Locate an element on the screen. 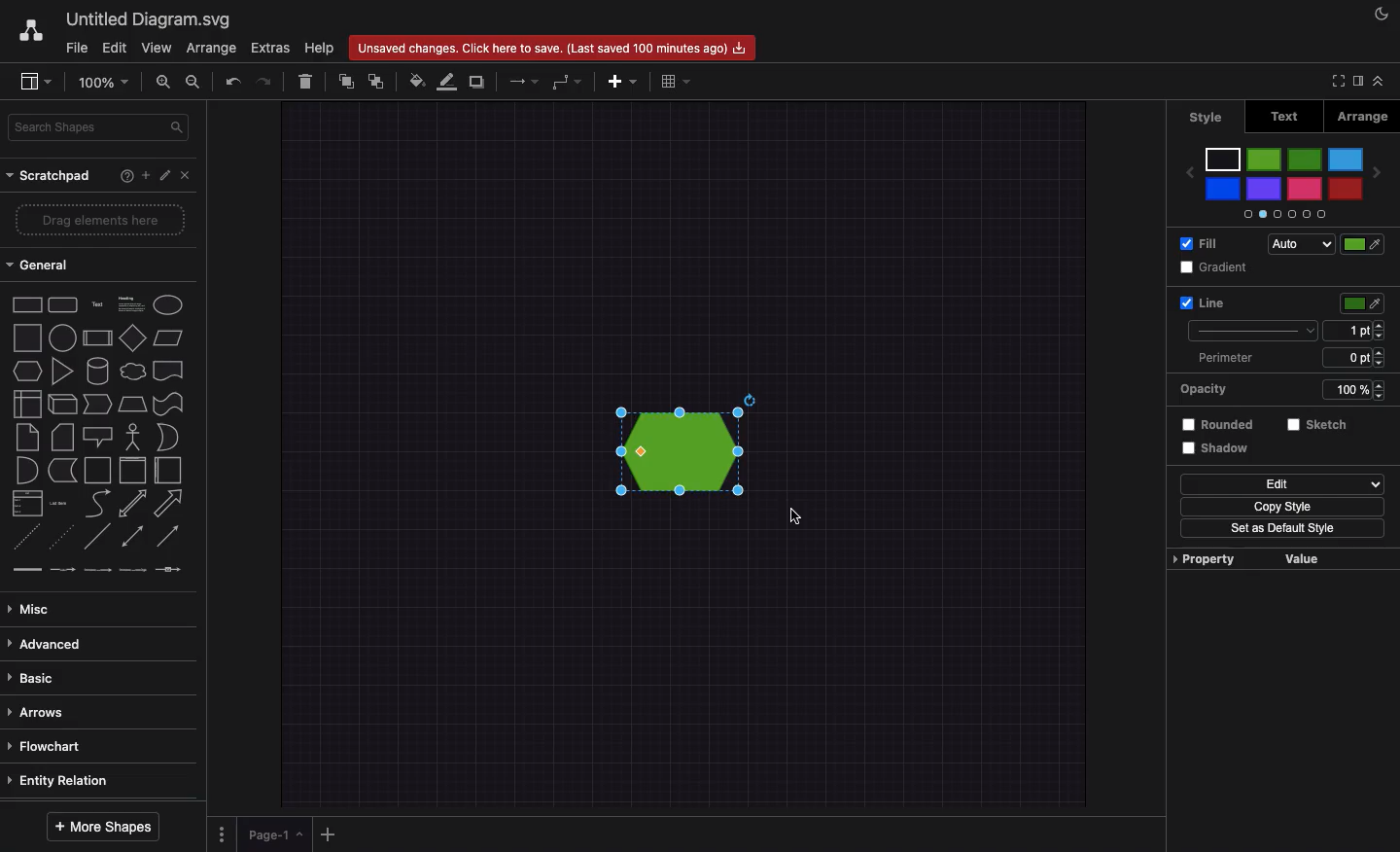  Gradient is located at coordinates (1212, 270).